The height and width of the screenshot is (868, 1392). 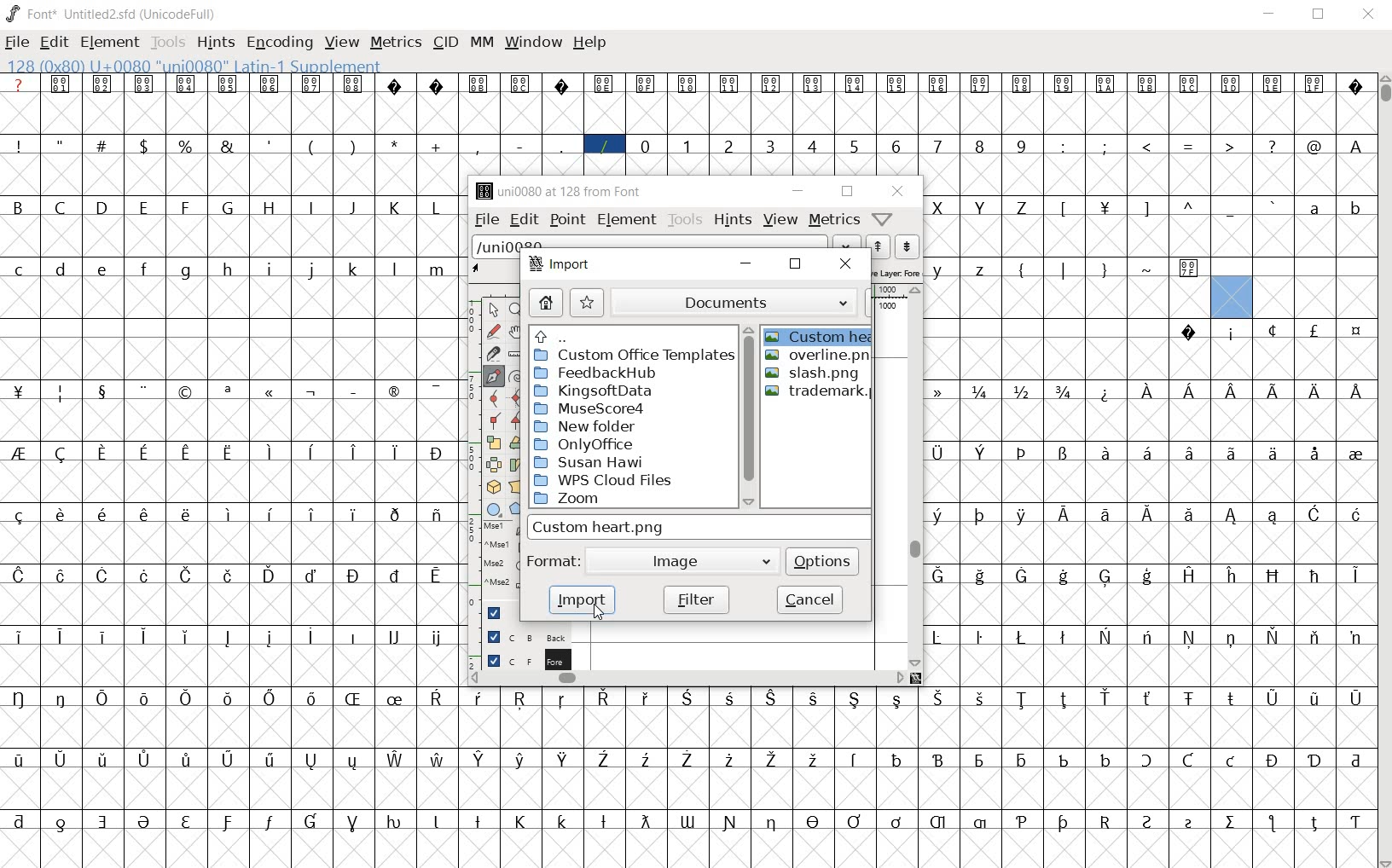 What do you see at coordinates (354, 515) in the screenshot?
I see `glyph` at bounding box center [354, 515].